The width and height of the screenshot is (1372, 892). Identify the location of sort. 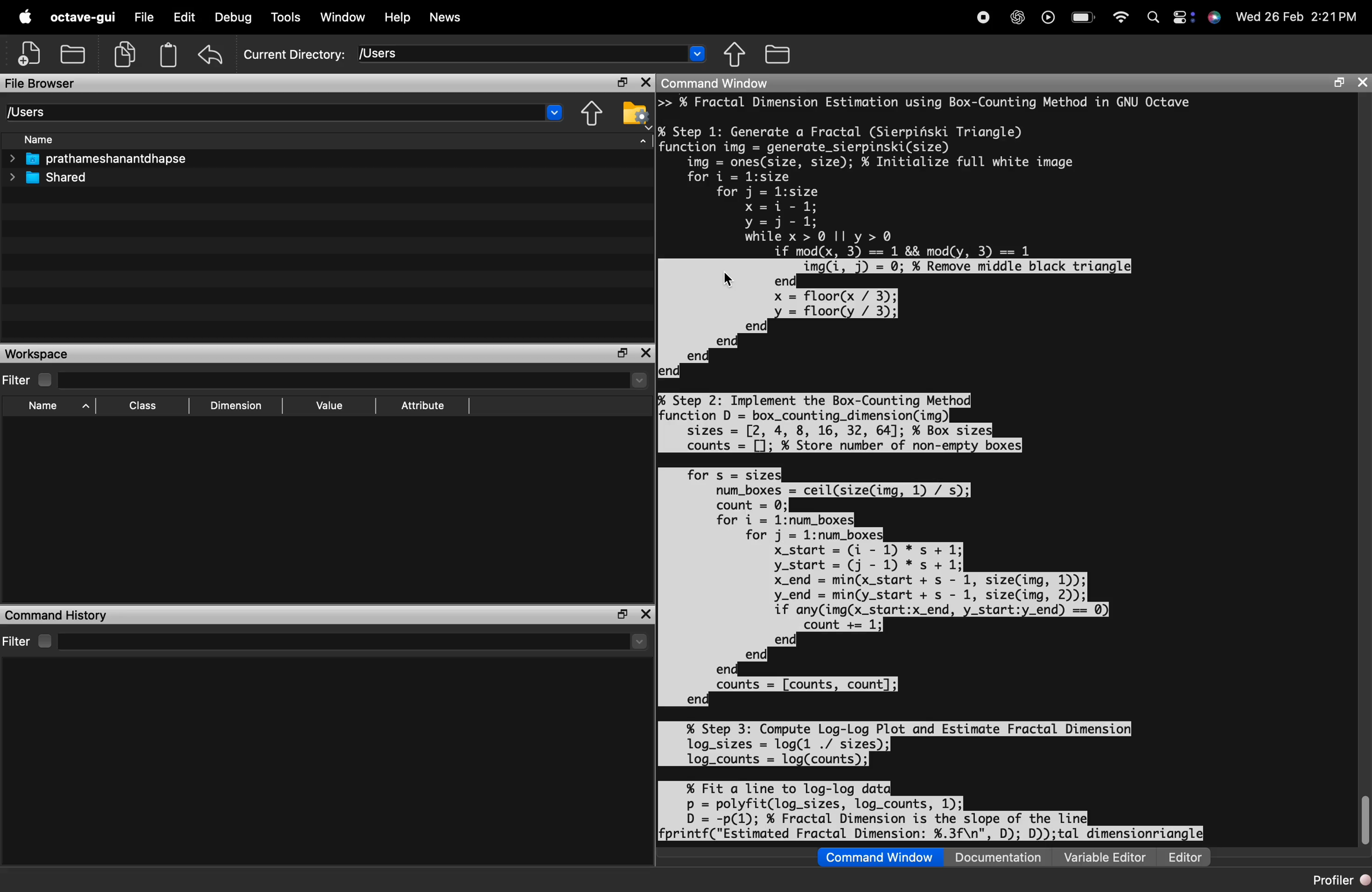
(643, 145).